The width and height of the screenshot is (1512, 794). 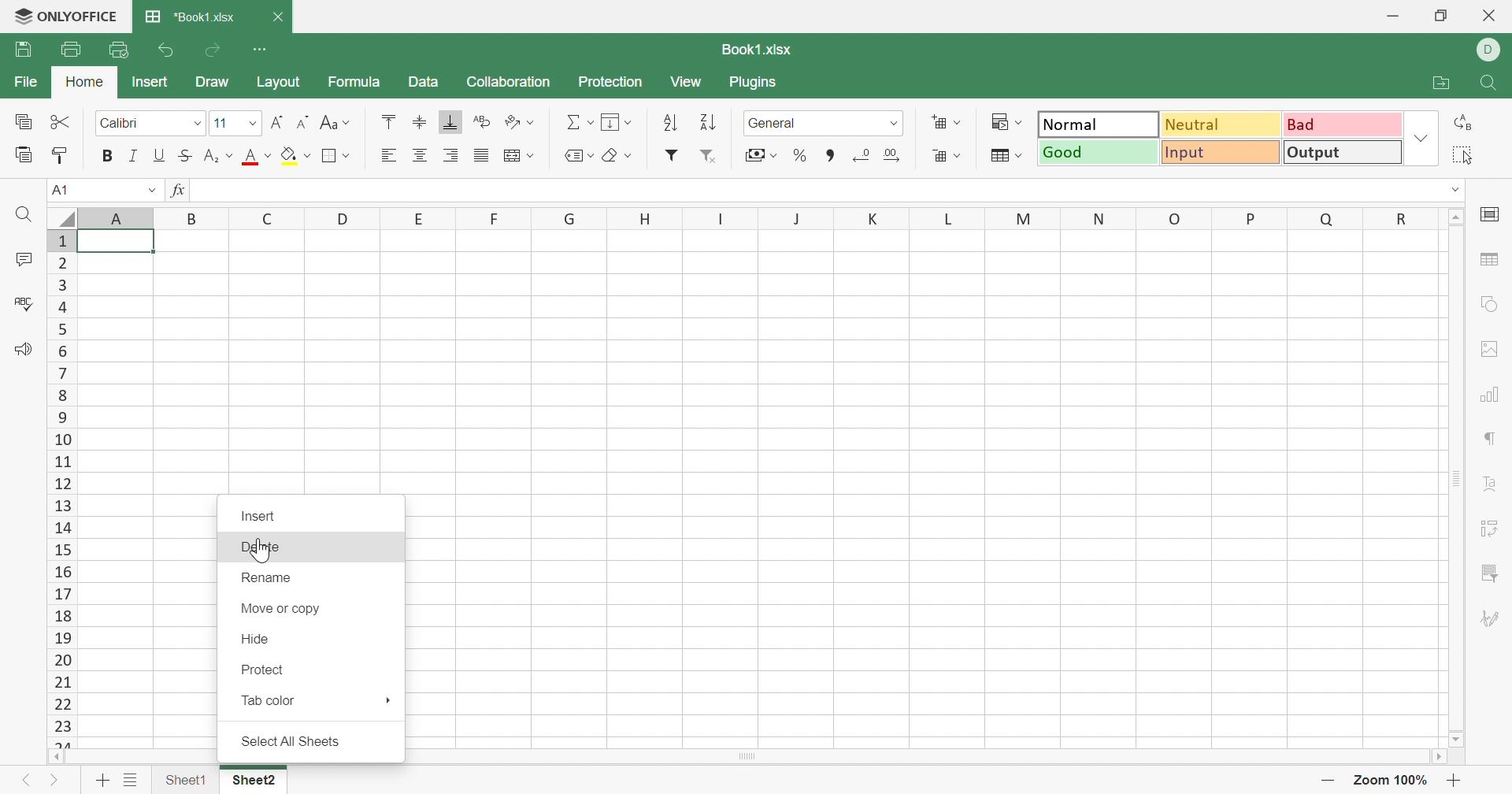 What do you see at coordinates (773, 124) in the screenshot?
I see `General` at bounding box center [773, 124].